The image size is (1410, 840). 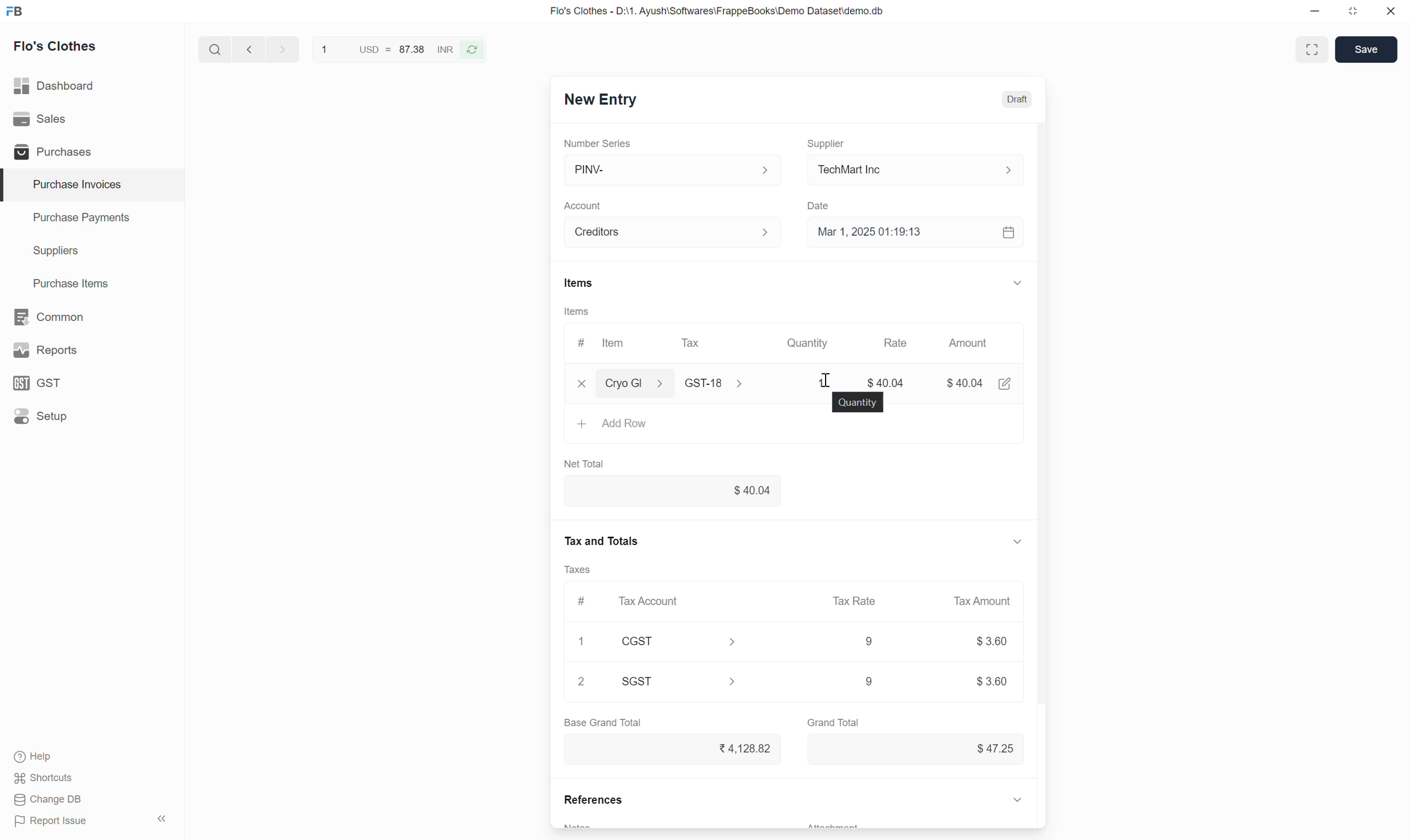 I want to click on $3.60, so click(x=991, y=643).